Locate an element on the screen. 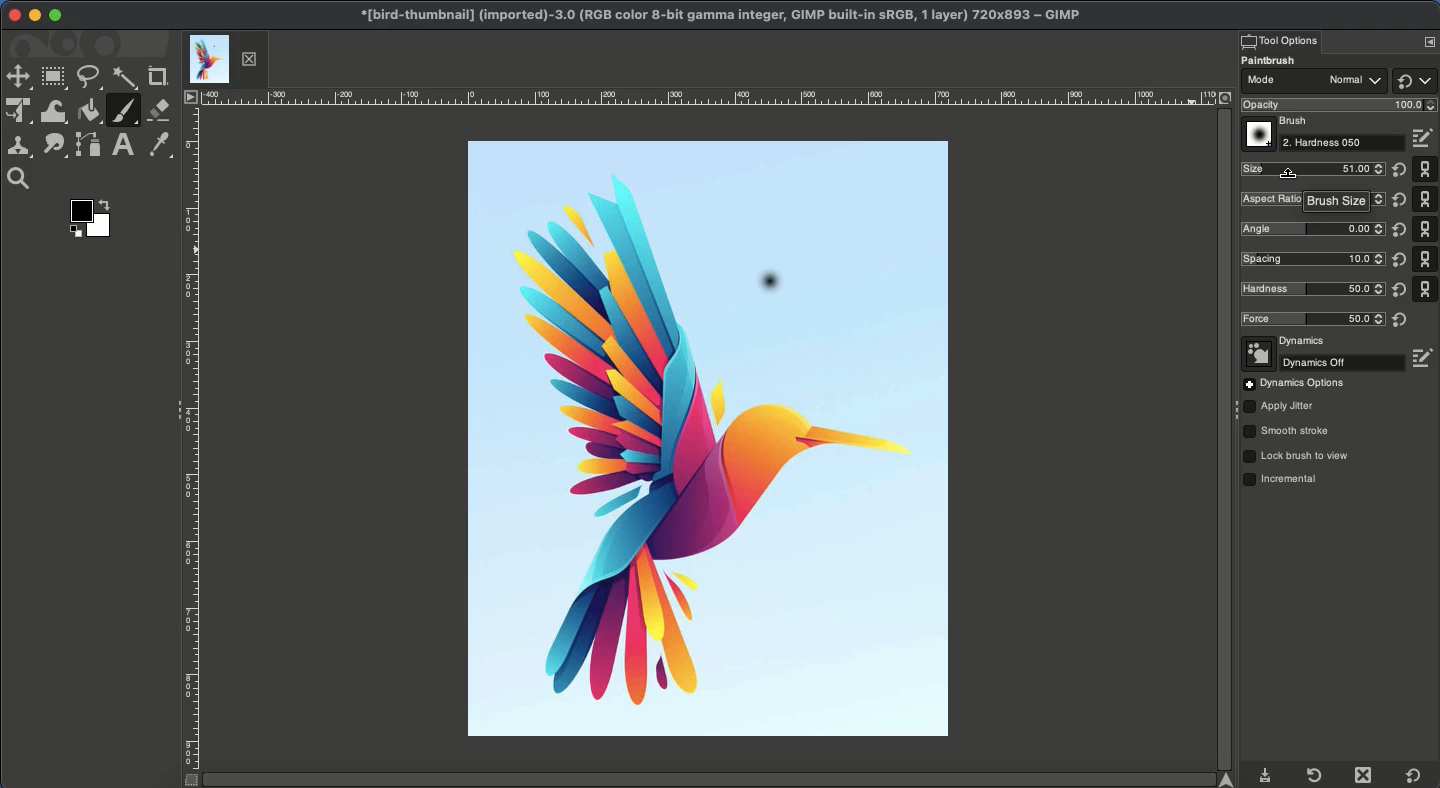 The image size is (1440, 788). Incremental is located at coordinates (1285, 481).